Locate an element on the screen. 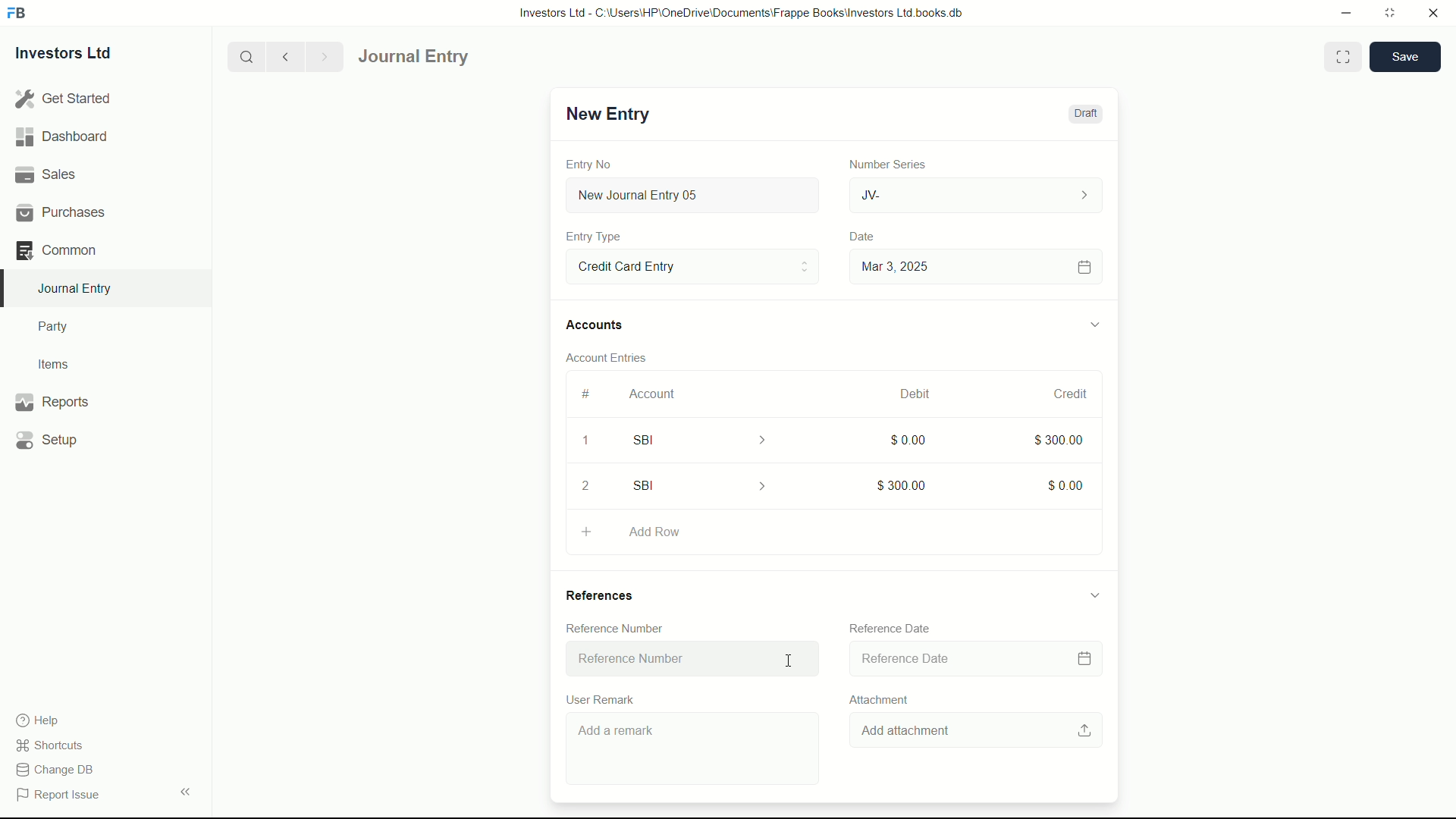 This screenshot has height=819, width=1456. Add Row is located at coordinates (830, 534).